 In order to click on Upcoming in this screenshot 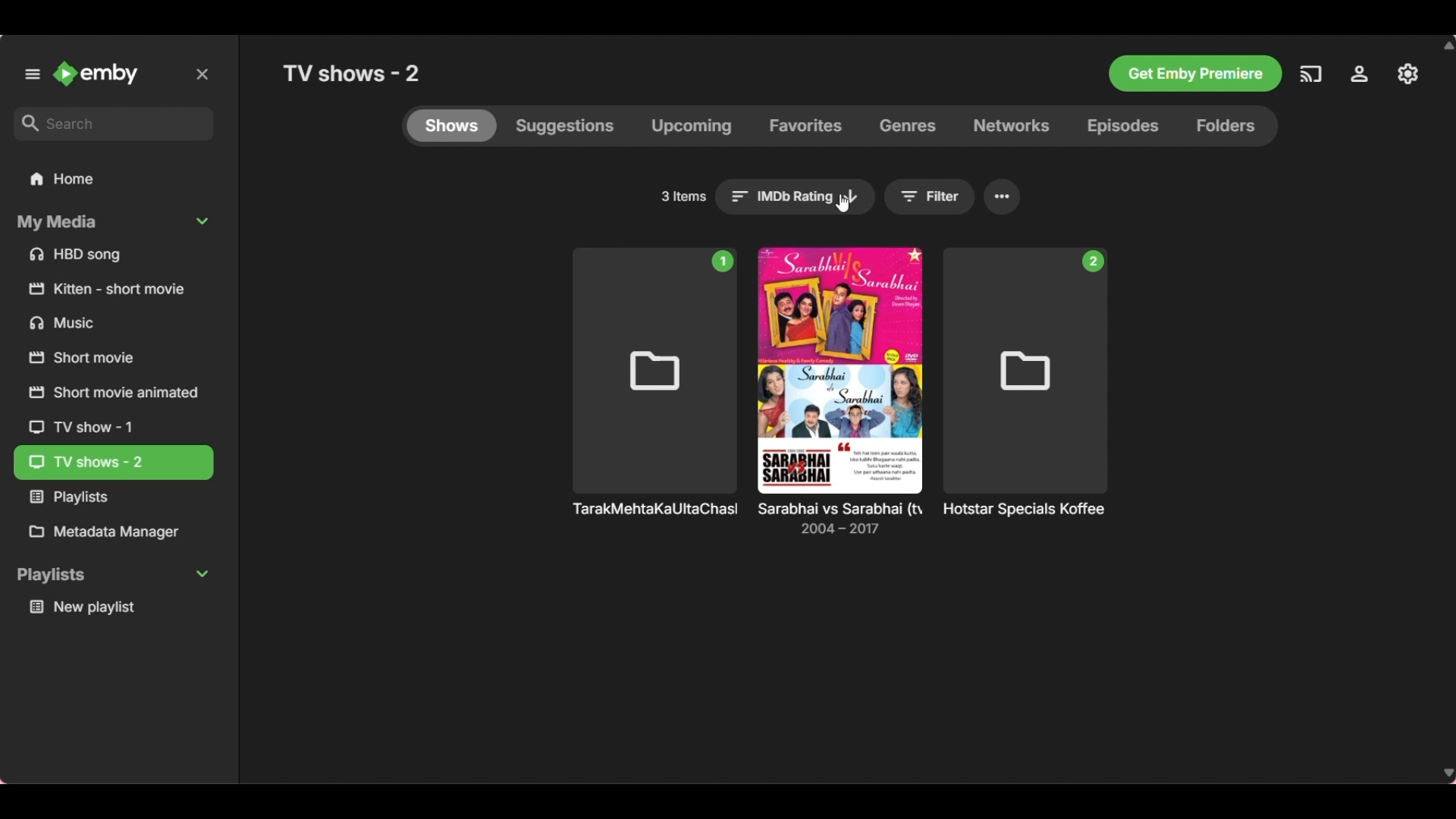, I will do `click(691, 127)`.